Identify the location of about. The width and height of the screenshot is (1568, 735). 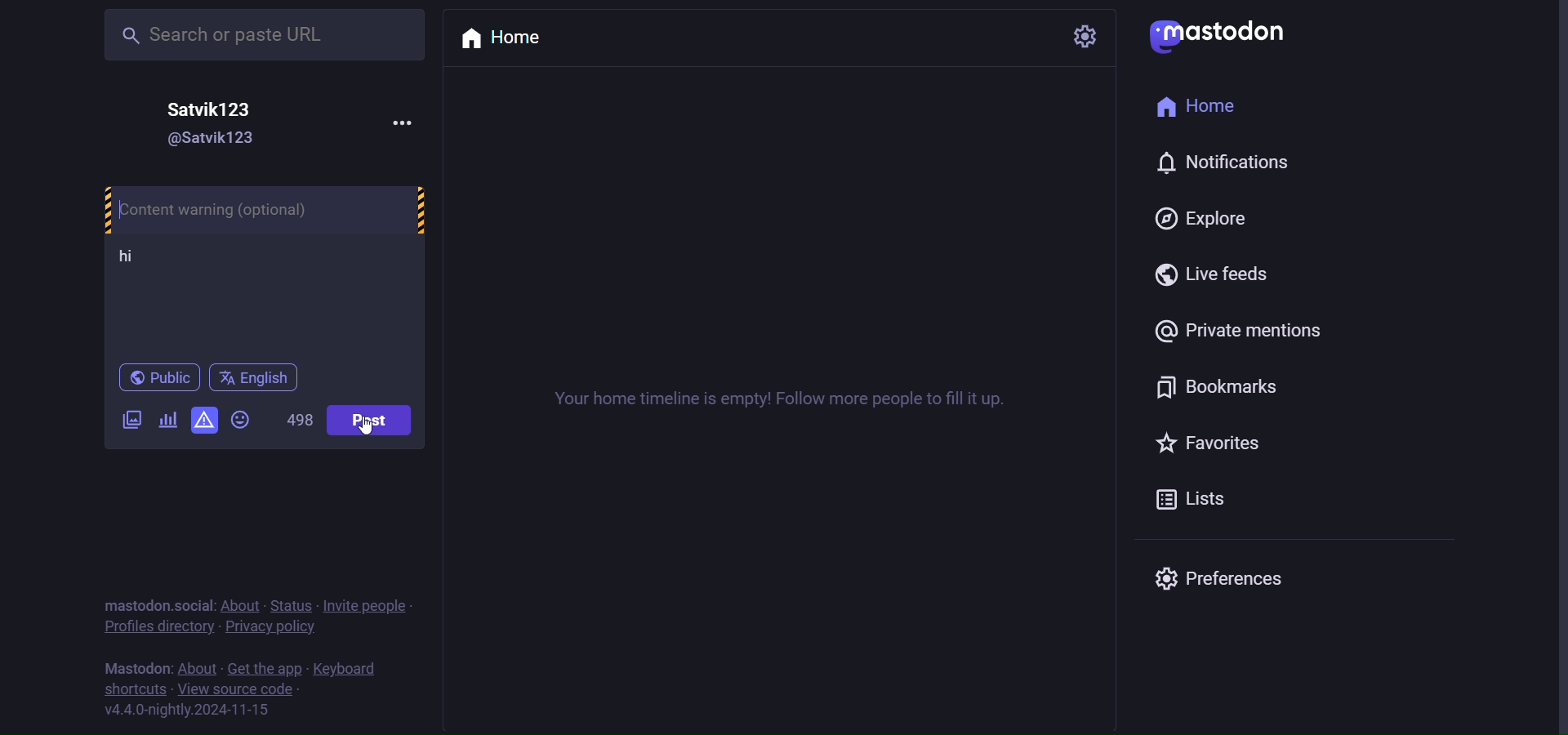
(198, 670).